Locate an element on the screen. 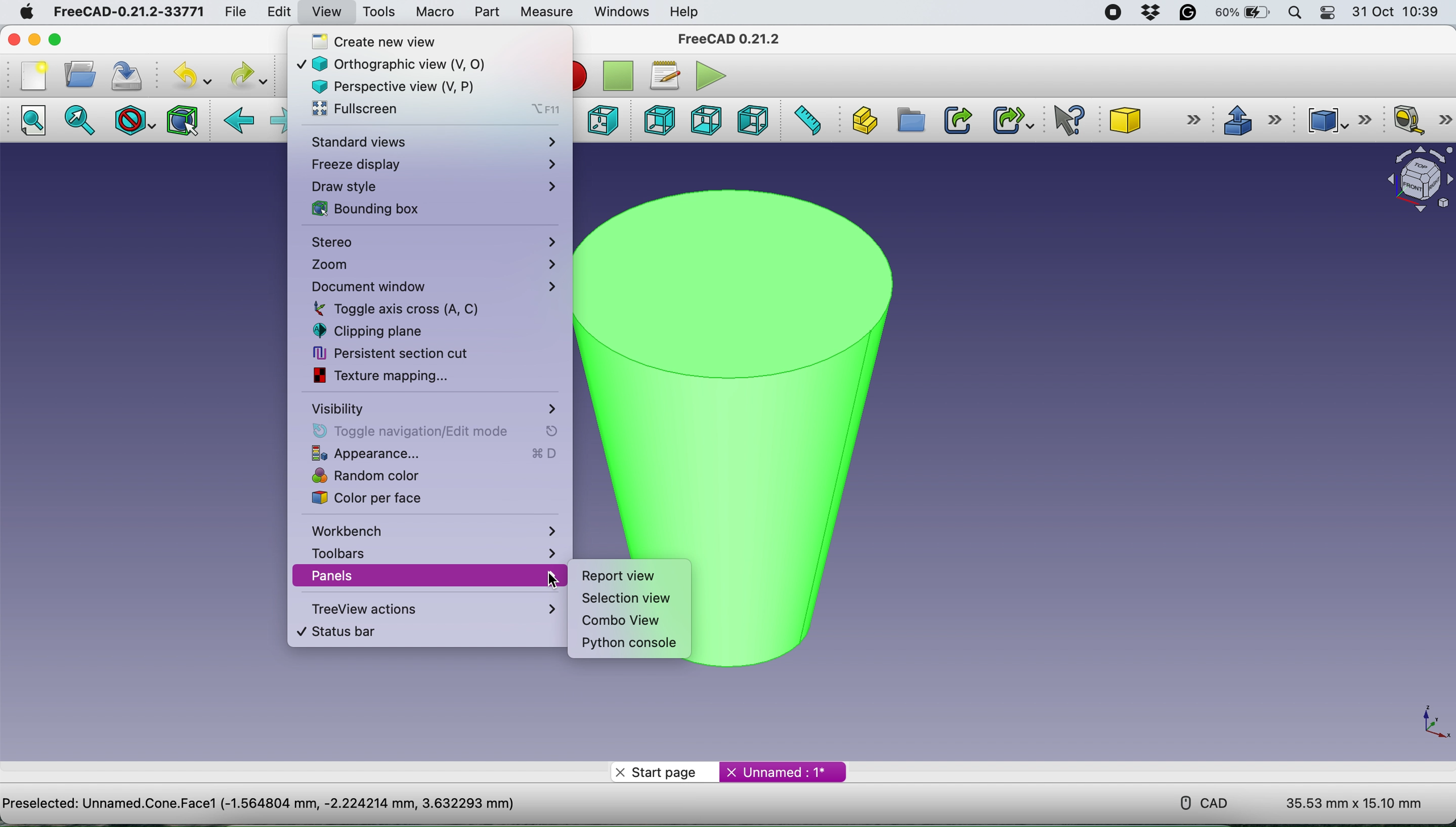  redo is located at coordinates (247, 75).